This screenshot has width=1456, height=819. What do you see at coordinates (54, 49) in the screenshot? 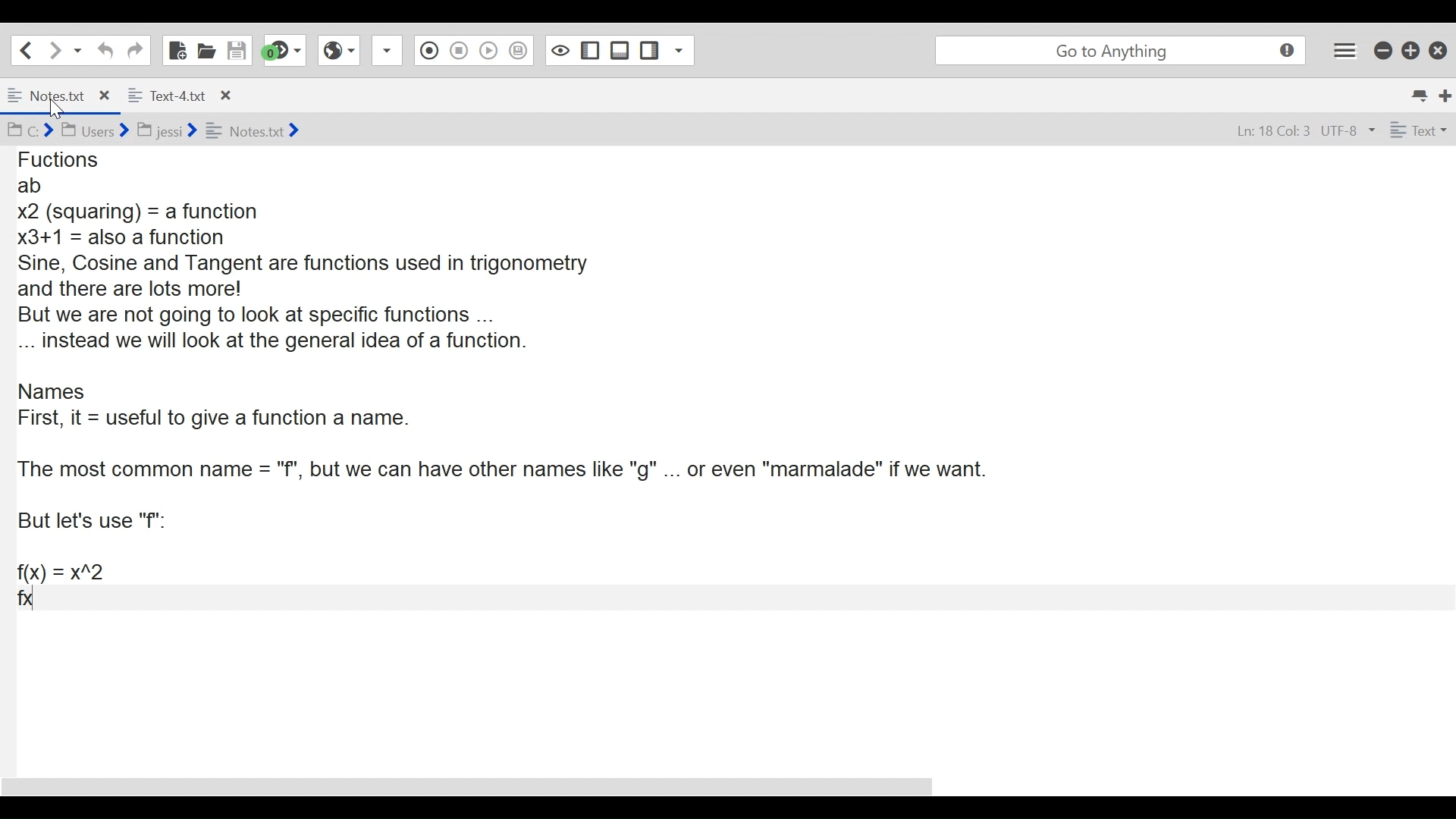
I see `Go Forward one location` at bounding box center [54, 49].